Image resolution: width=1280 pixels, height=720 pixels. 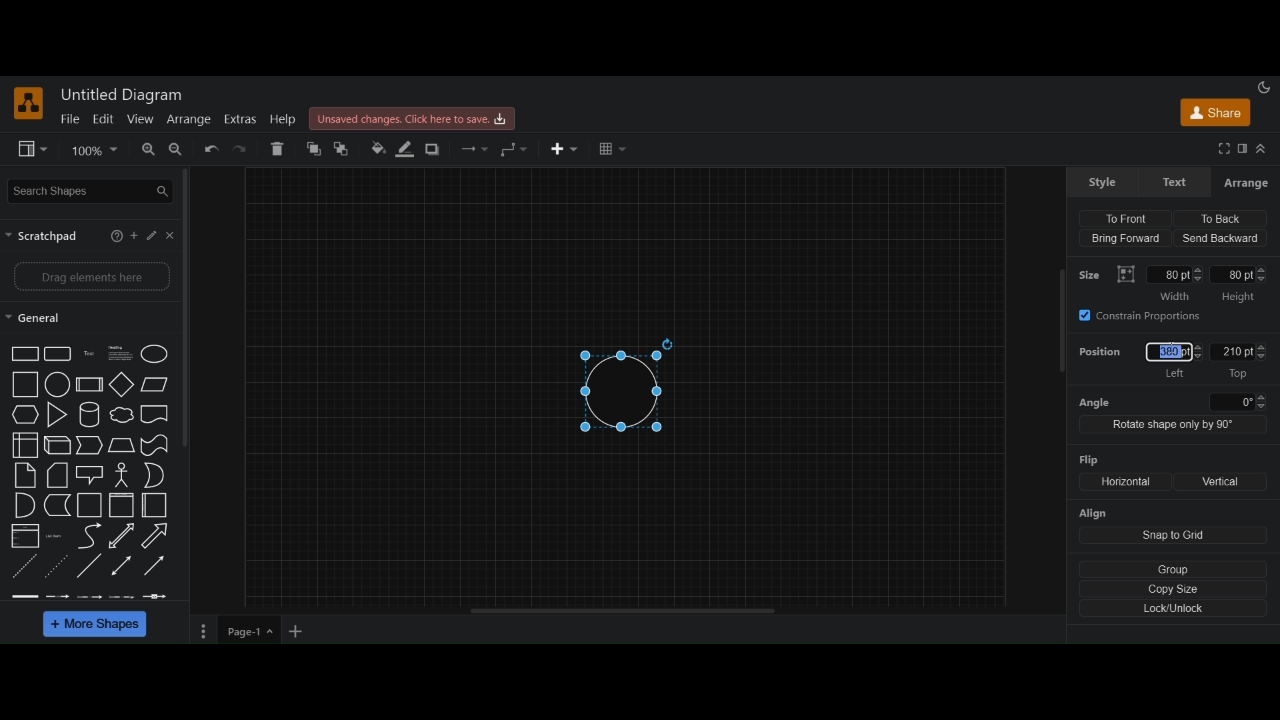 I want to click on constrain proportions, so click(x=1146, y=316).